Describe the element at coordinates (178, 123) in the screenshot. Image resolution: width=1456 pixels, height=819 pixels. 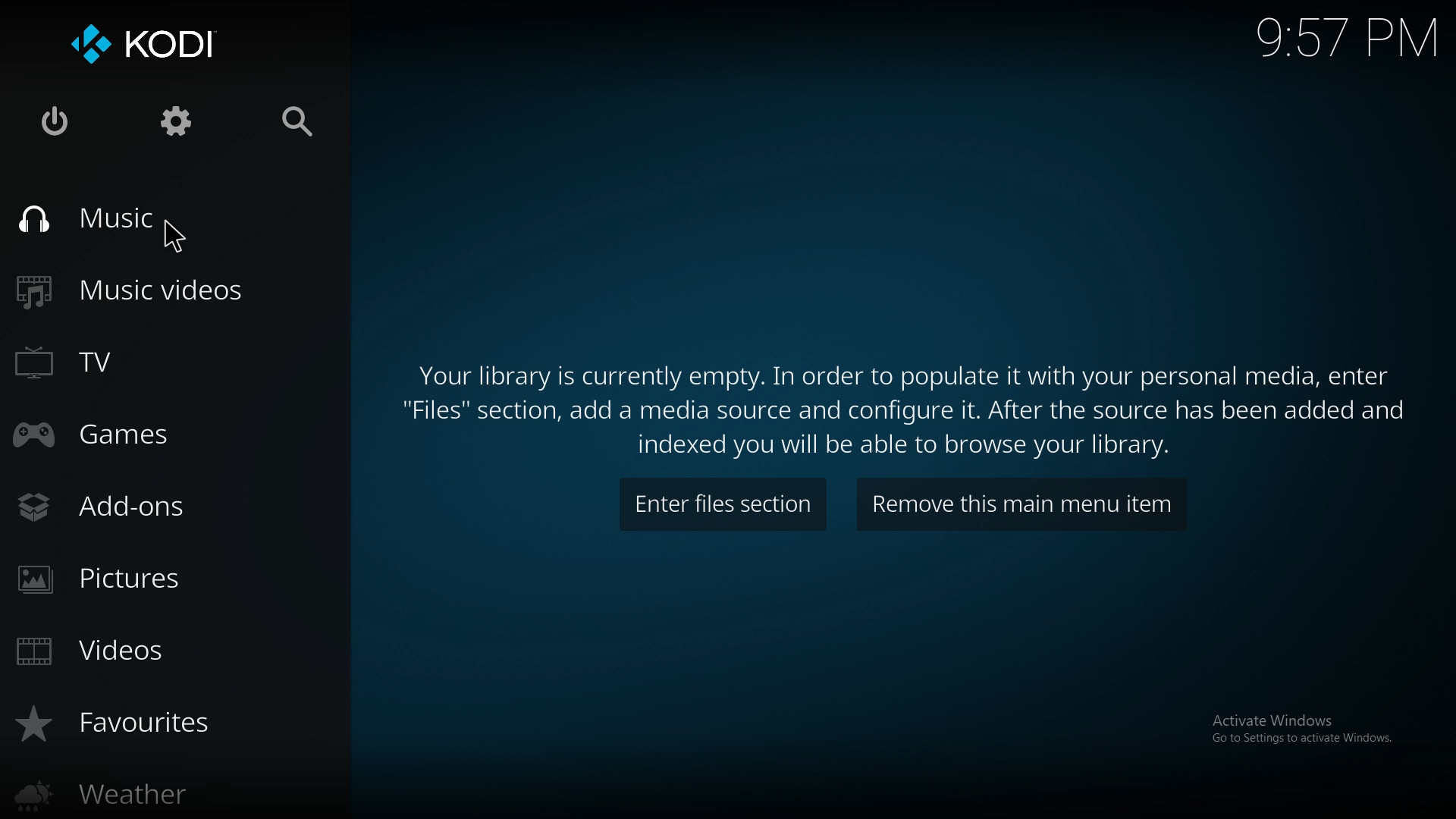
I see `settings` at that location.